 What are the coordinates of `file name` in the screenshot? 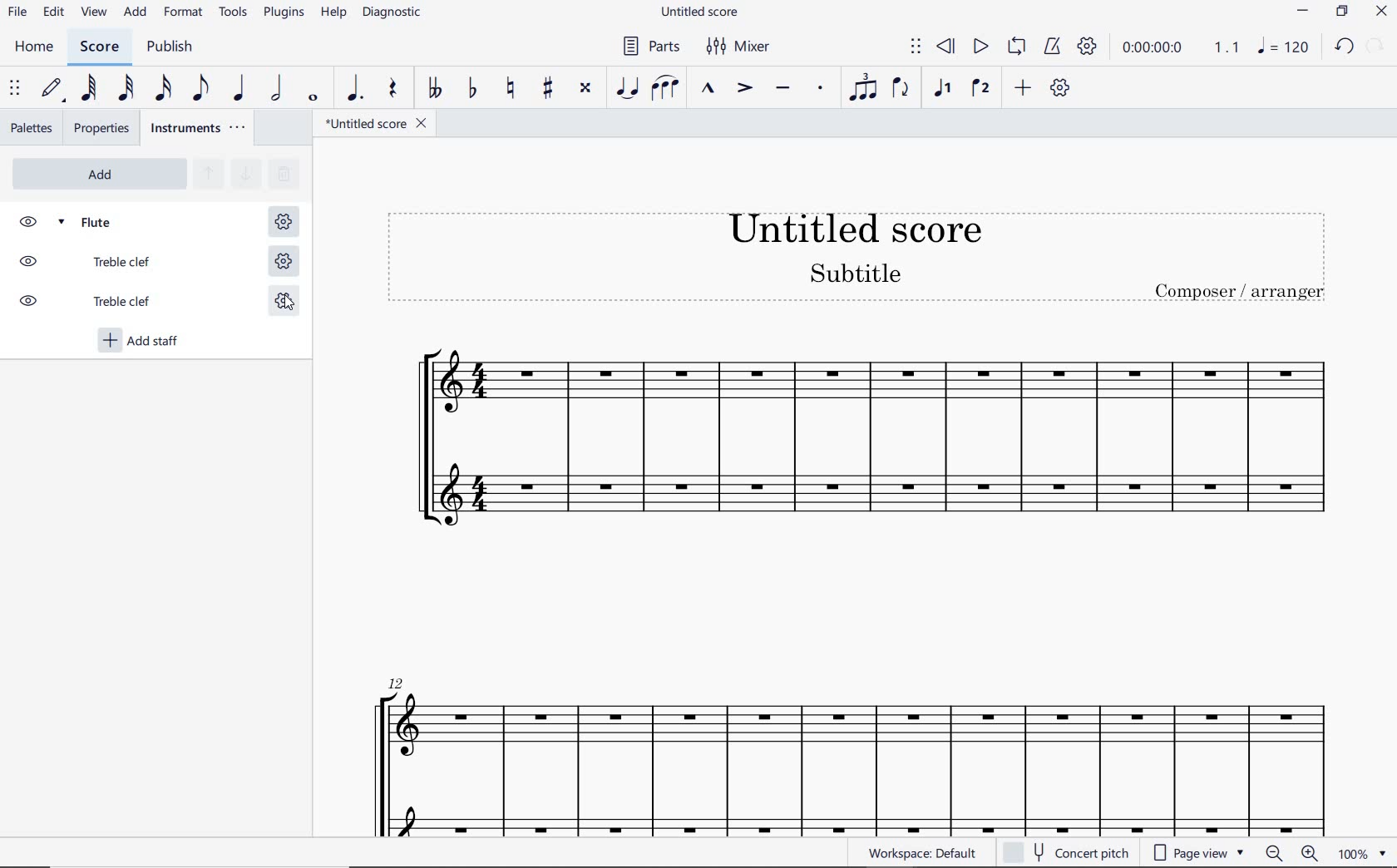 It's located at (375, 124).